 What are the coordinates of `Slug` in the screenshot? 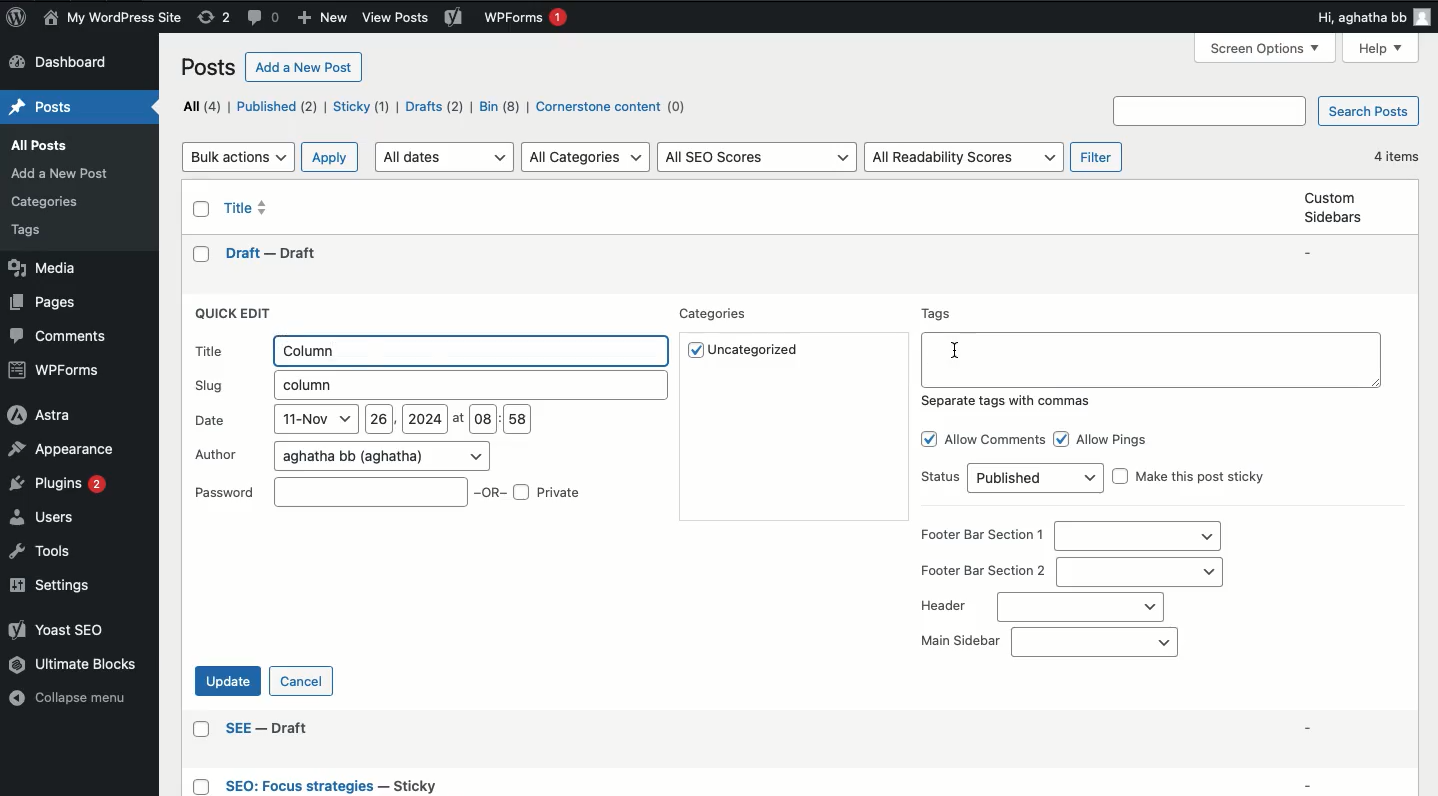 It's located at (430, 384).